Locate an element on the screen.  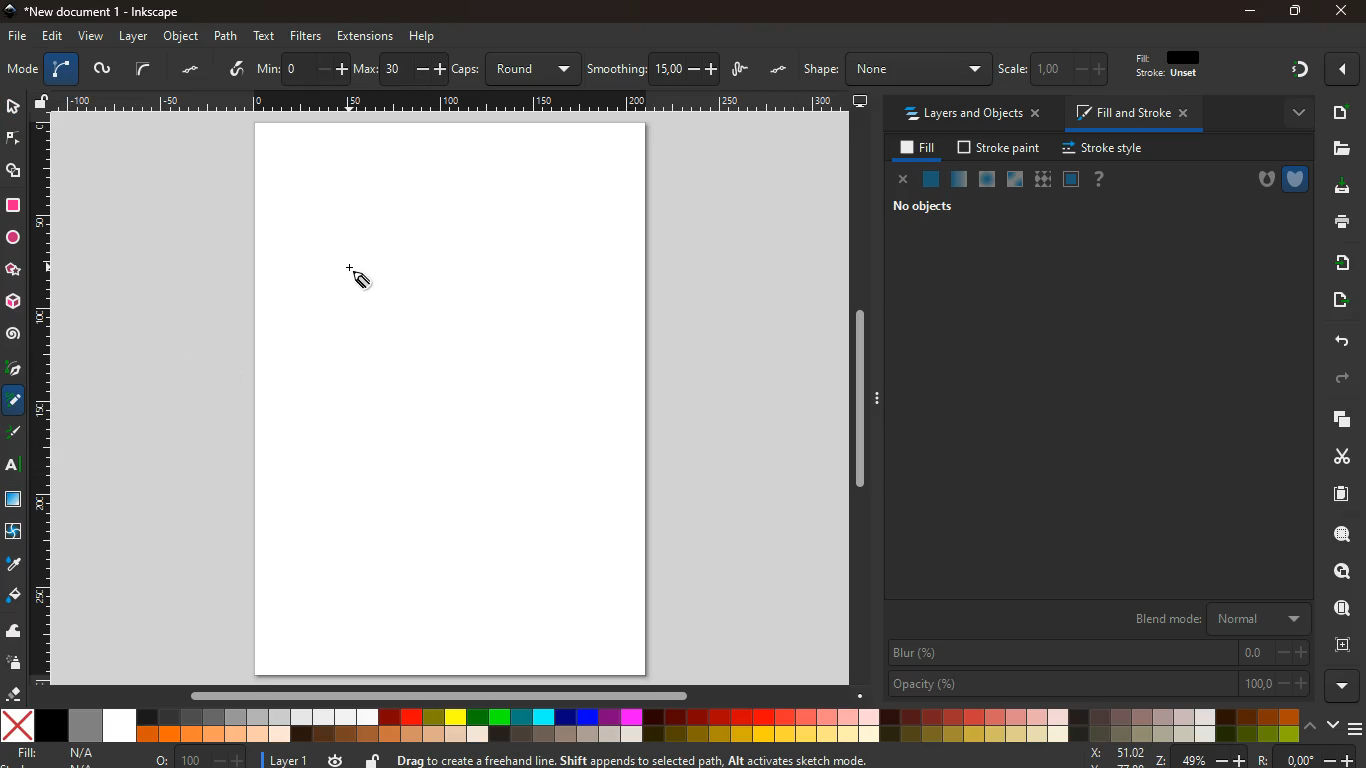
normal is located at coordinates (931, 179).